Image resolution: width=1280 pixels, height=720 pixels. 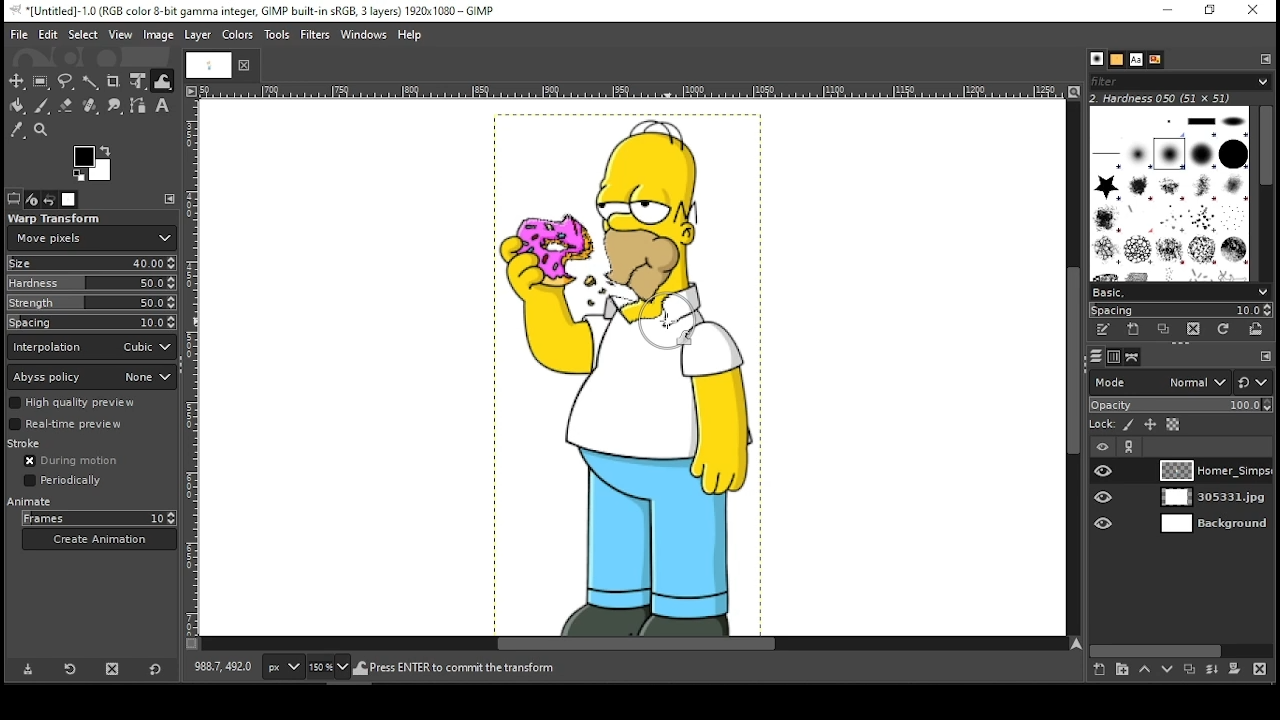 What do you see at coordinates (91, 424) in the screenshot?
I see `real time preview` at bounding box center [91, 424].